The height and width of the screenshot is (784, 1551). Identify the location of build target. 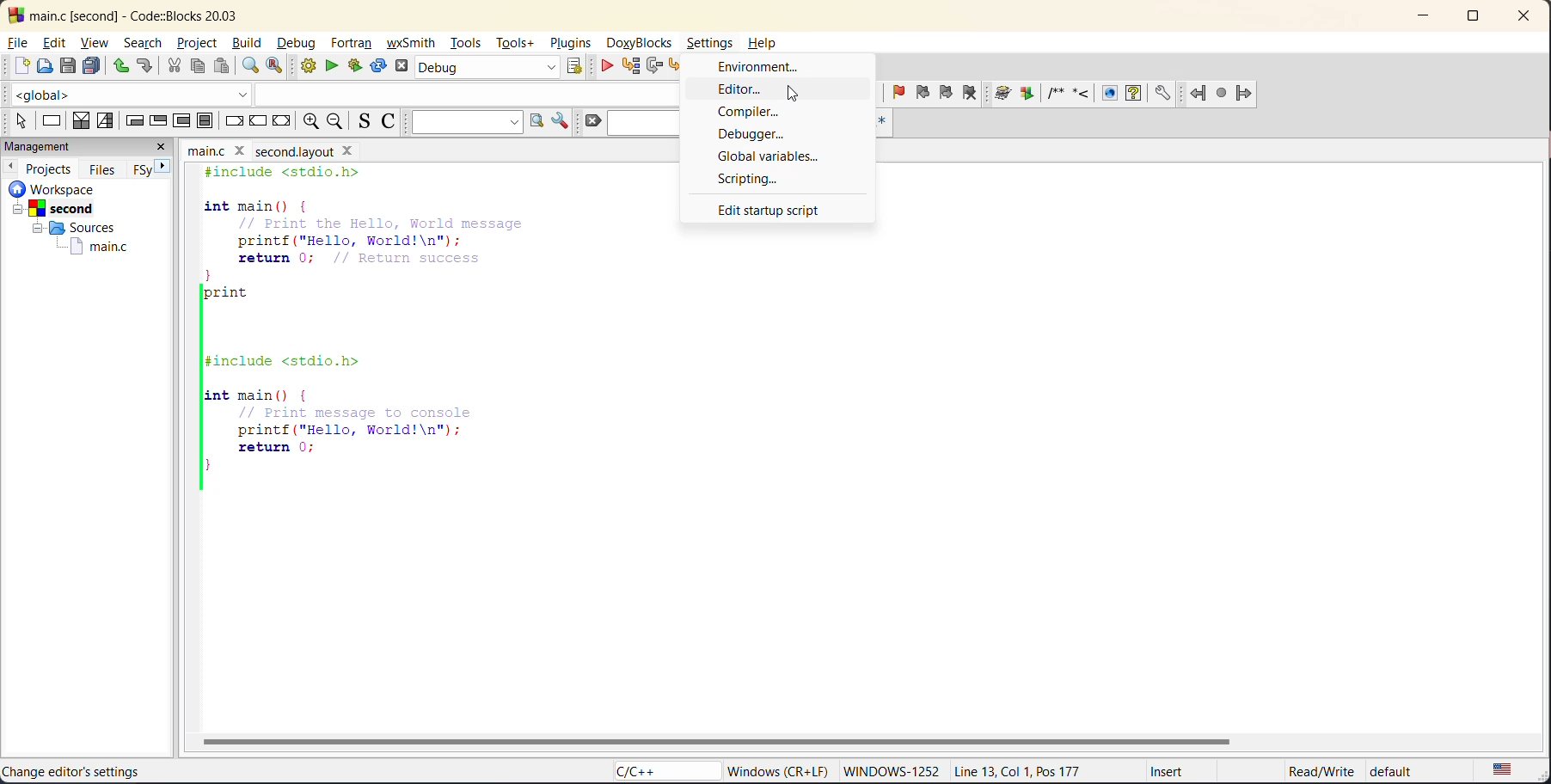
(487, 70).